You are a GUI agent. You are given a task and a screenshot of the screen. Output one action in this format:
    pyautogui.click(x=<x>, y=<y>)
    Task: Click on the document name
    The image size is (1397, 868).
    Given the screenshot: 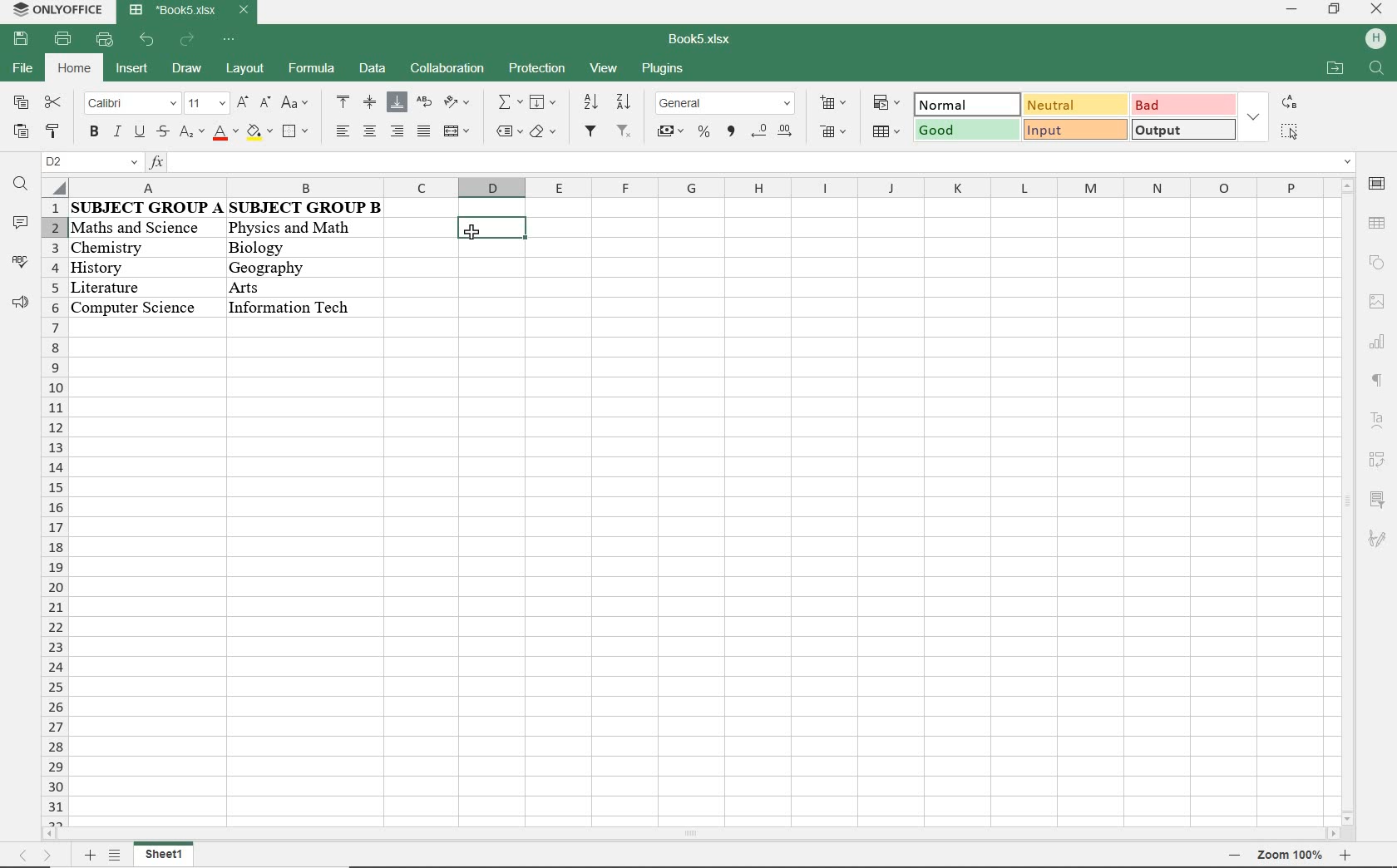 What is the action you would take?
    pyautogui.click(x=187, y=11)
    